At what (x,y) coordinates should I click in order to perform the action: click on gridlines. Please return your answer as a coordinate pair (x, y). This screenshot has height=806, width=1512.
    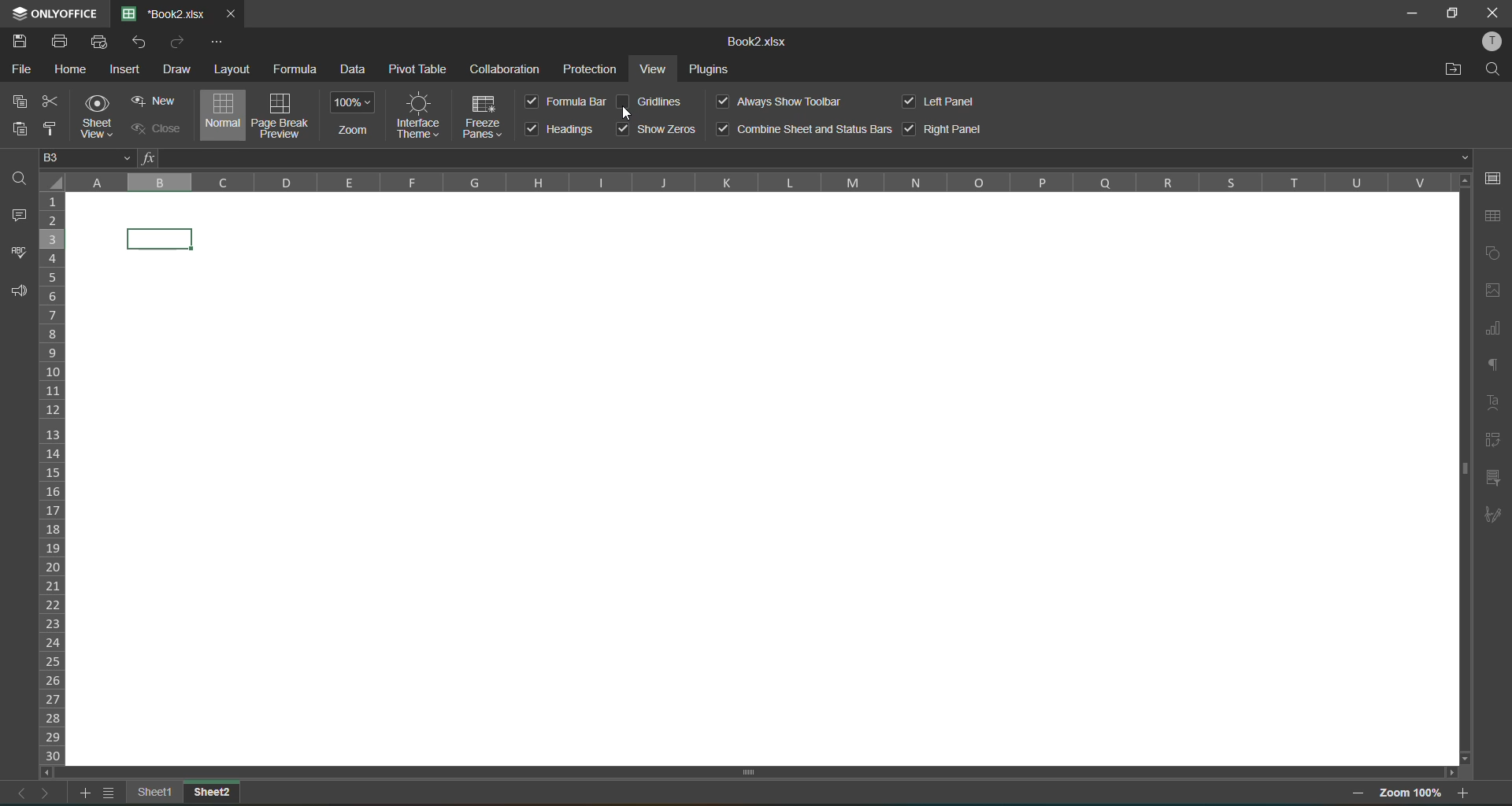
    Looking at the image, I should click on (650, 101).